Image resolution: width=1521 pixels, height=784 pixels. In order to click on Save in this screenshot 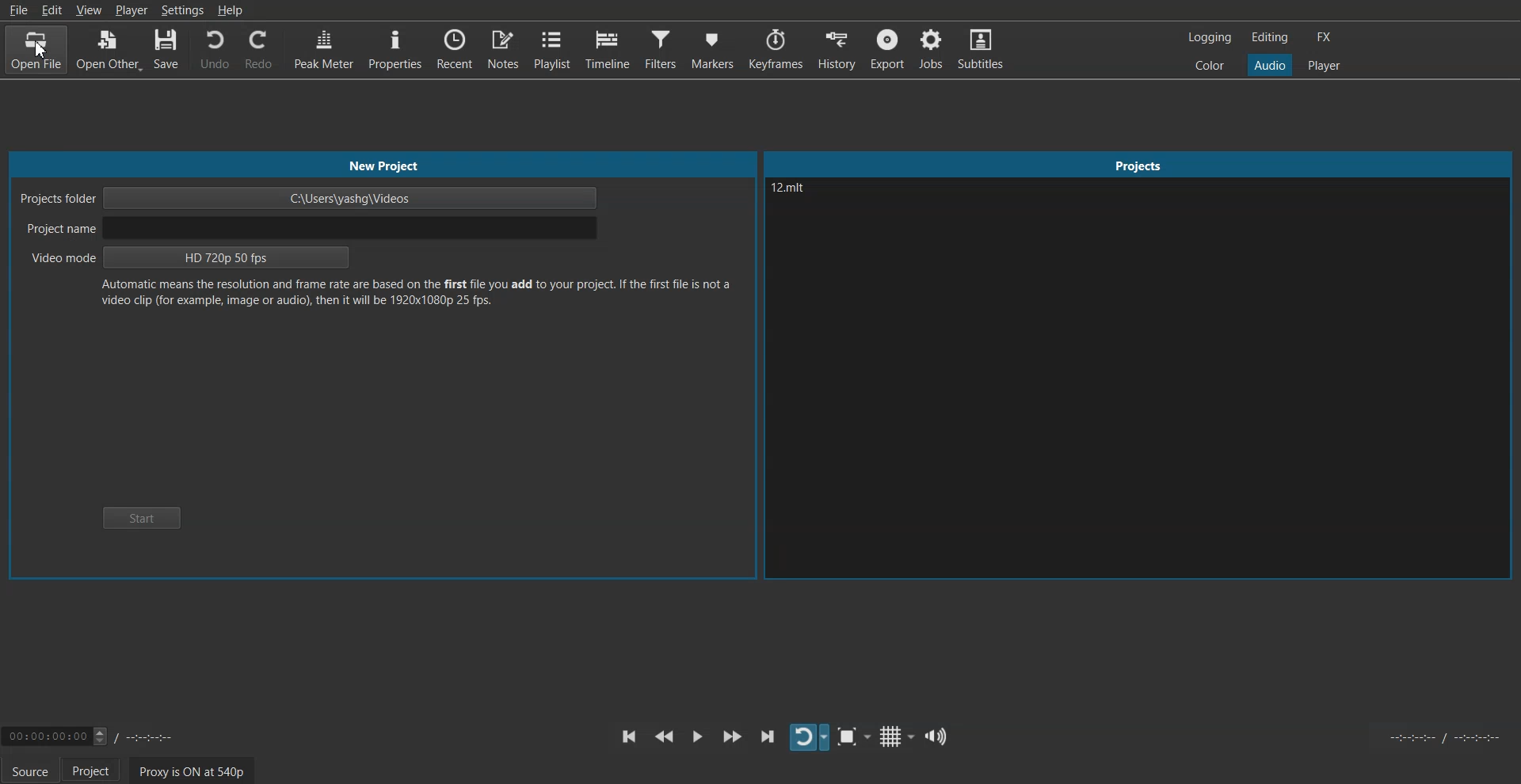, I will do `click(169, 49)`.